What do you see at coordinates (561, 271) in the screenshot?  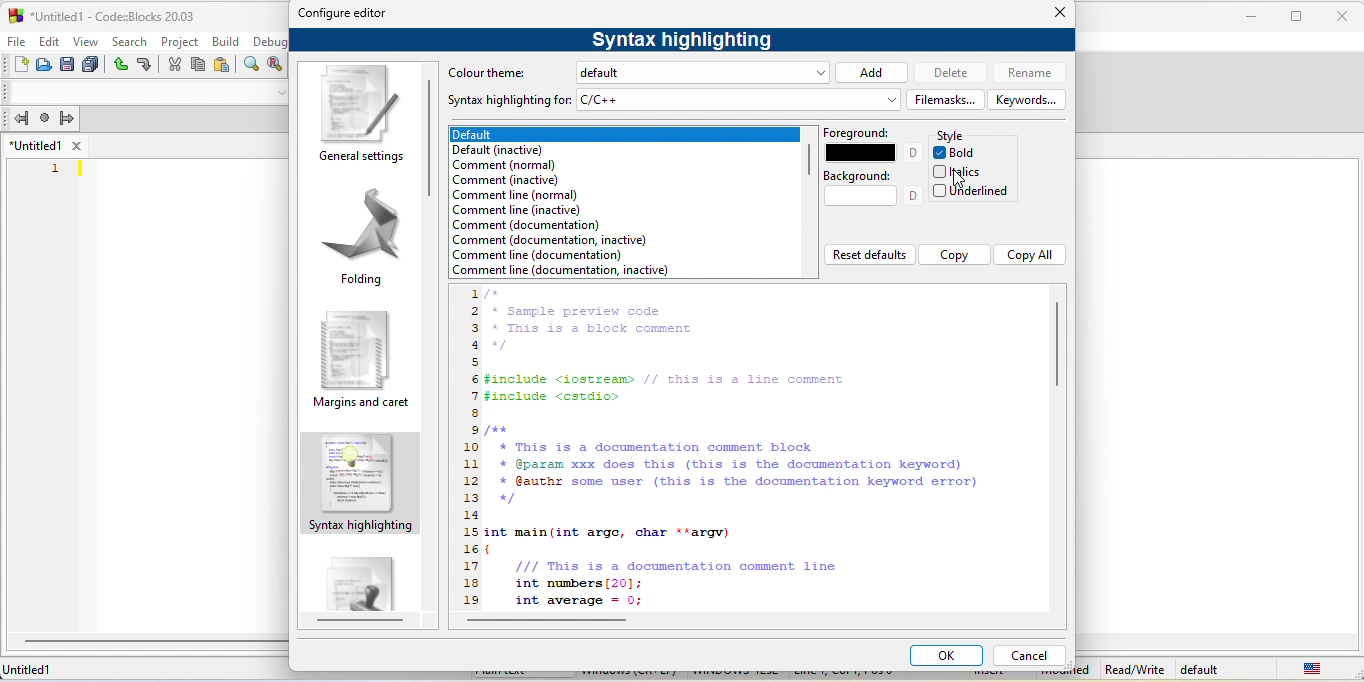 I see `comment line` at bounding box center [561, 271].